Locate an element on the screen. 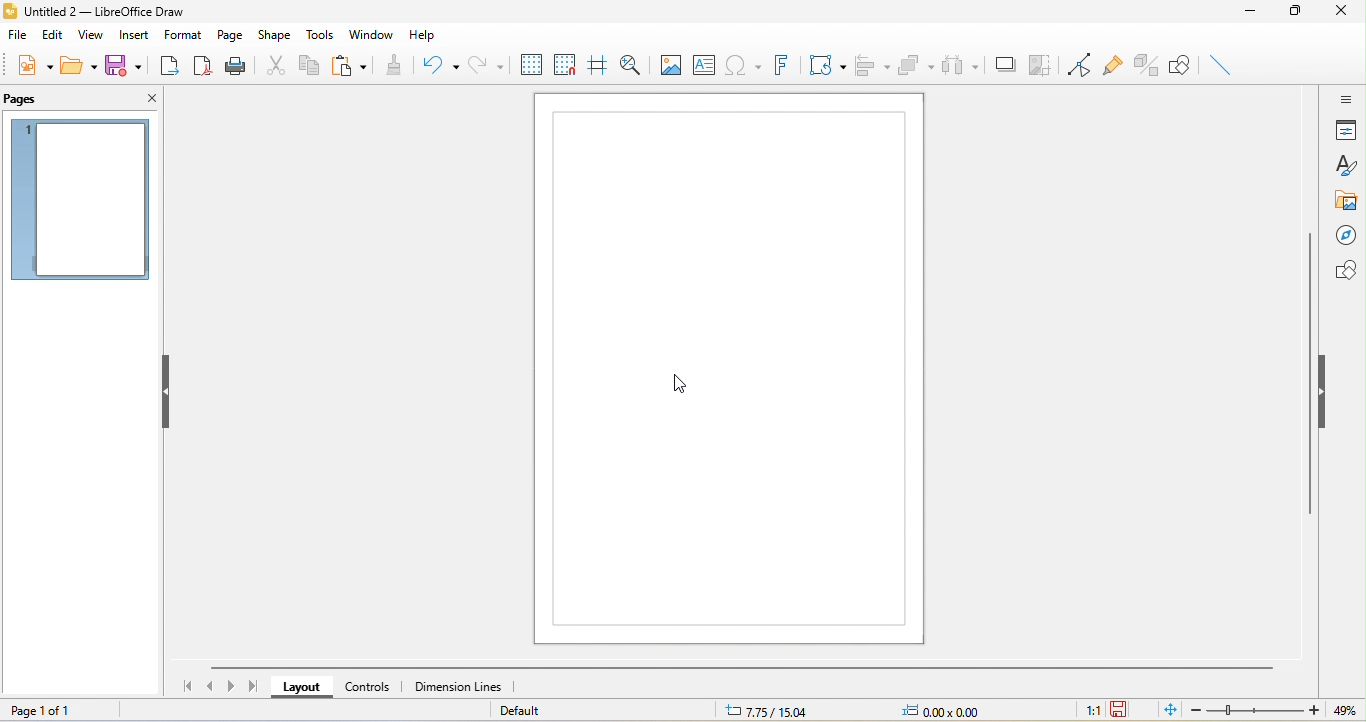  align object is located at coordinates (871, 66).